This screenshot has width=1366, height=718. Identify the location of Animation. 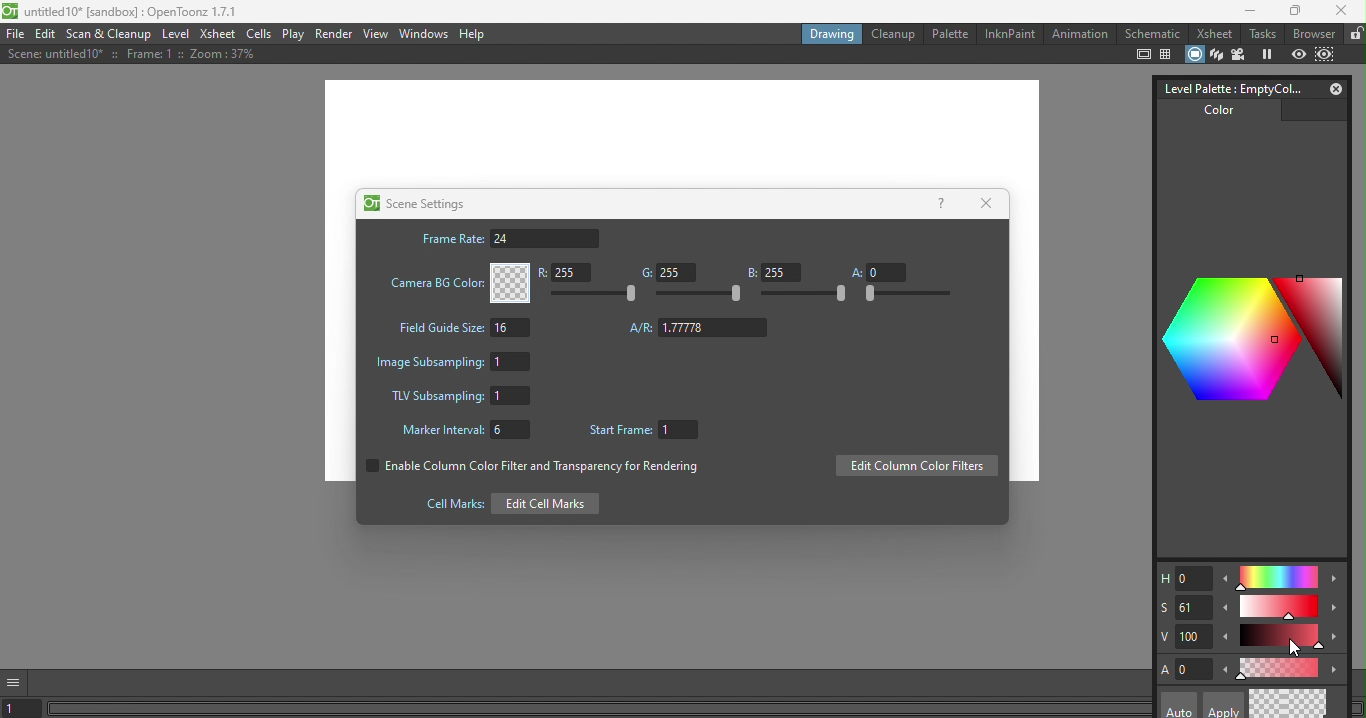
(1079, 34).